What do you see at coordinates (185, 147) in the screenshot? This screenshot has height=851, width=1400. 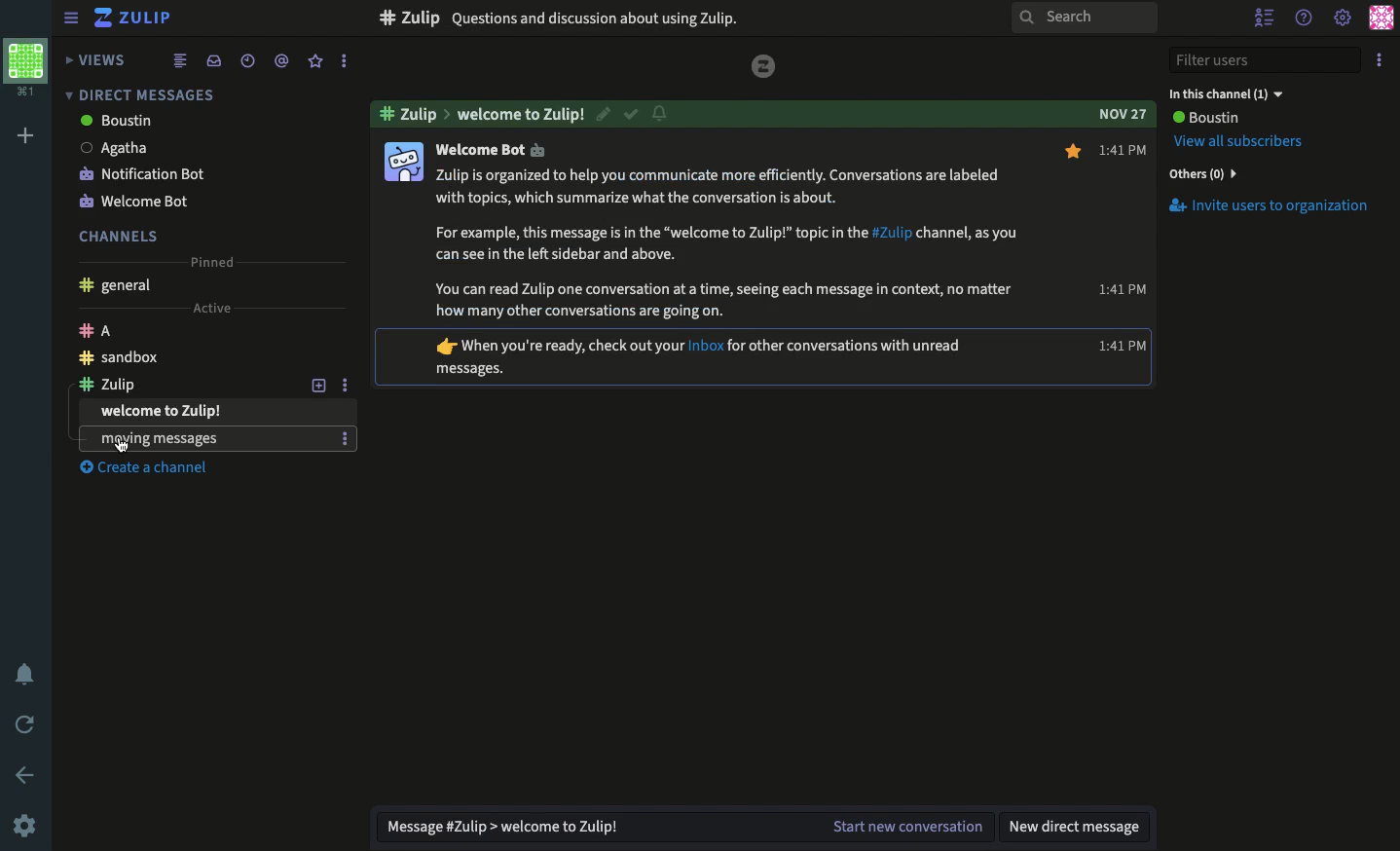 I see `Agatha` at bounding box center [185, 147].